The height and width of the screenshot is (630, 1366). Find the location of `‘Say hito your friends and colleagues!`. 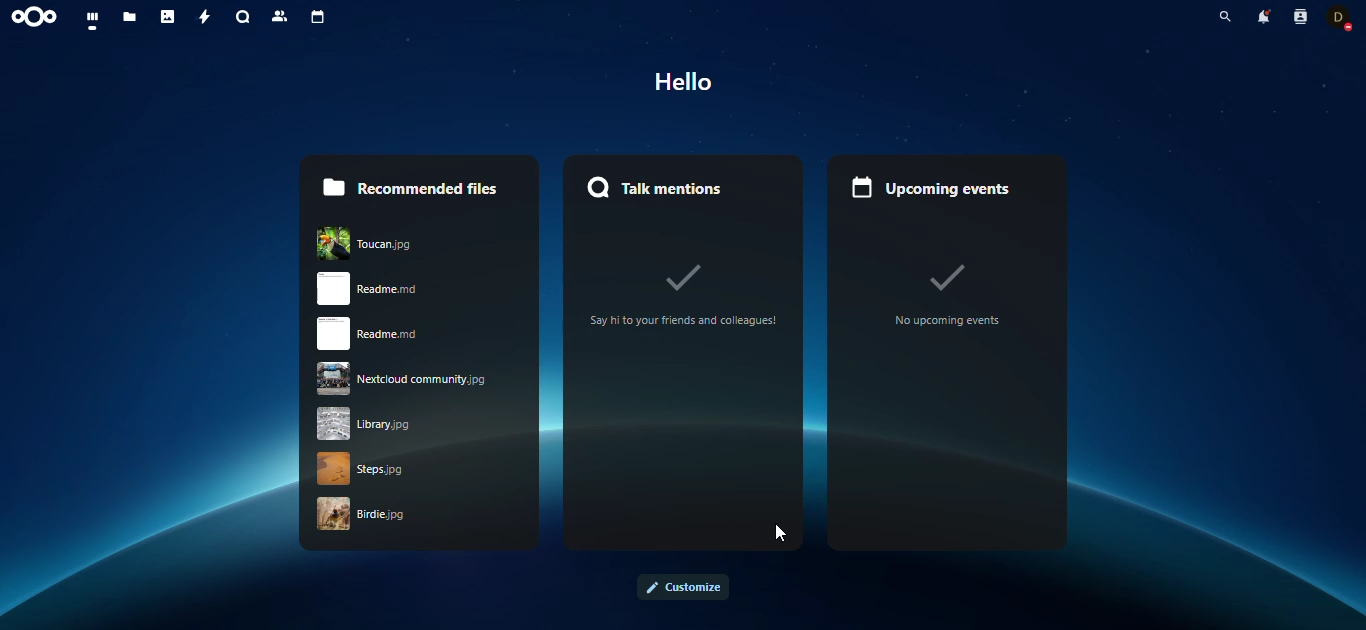

‘Say hito your friends and colleagues! is located at coordinates (683, 304).